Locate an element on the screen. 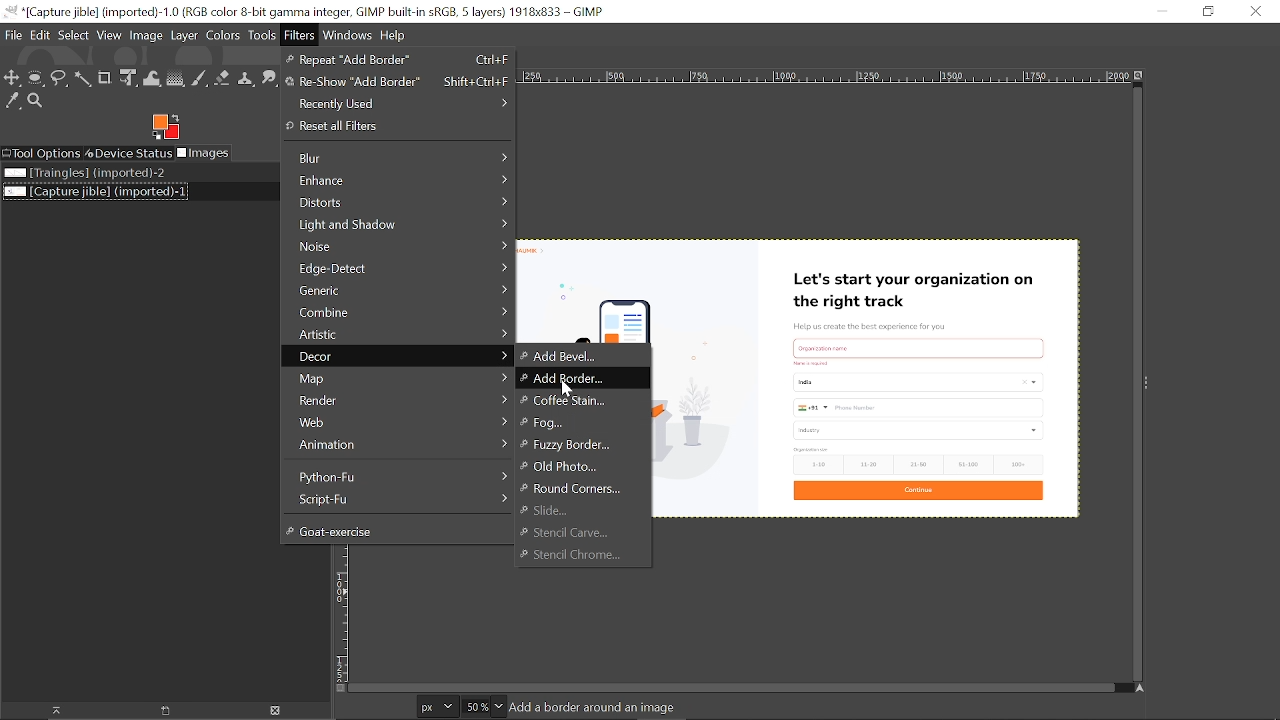 This screenshot has width=1280, height=720. Filters is located at coordinates (300, 35).